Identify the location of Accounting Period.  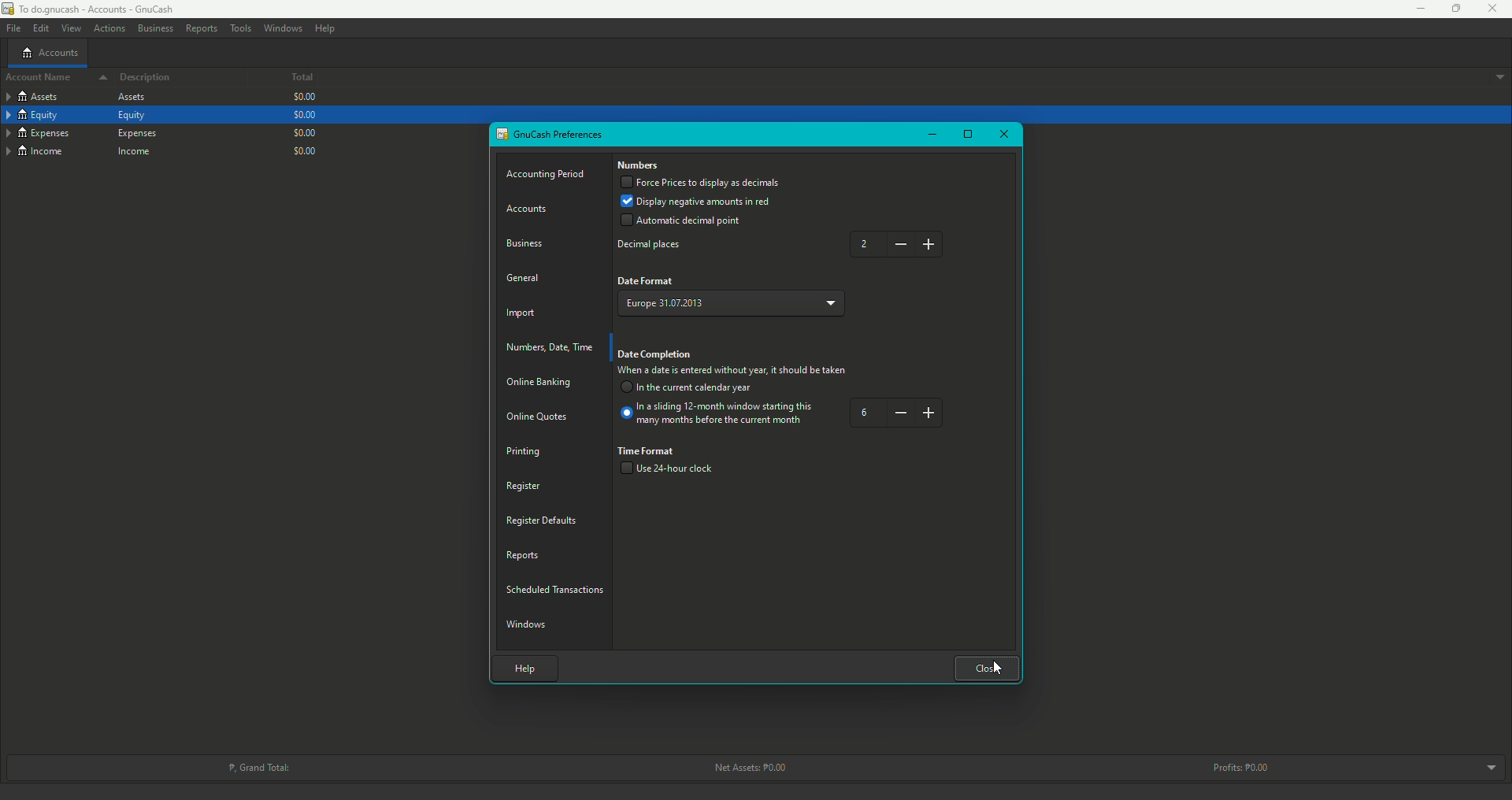
(548, 175).